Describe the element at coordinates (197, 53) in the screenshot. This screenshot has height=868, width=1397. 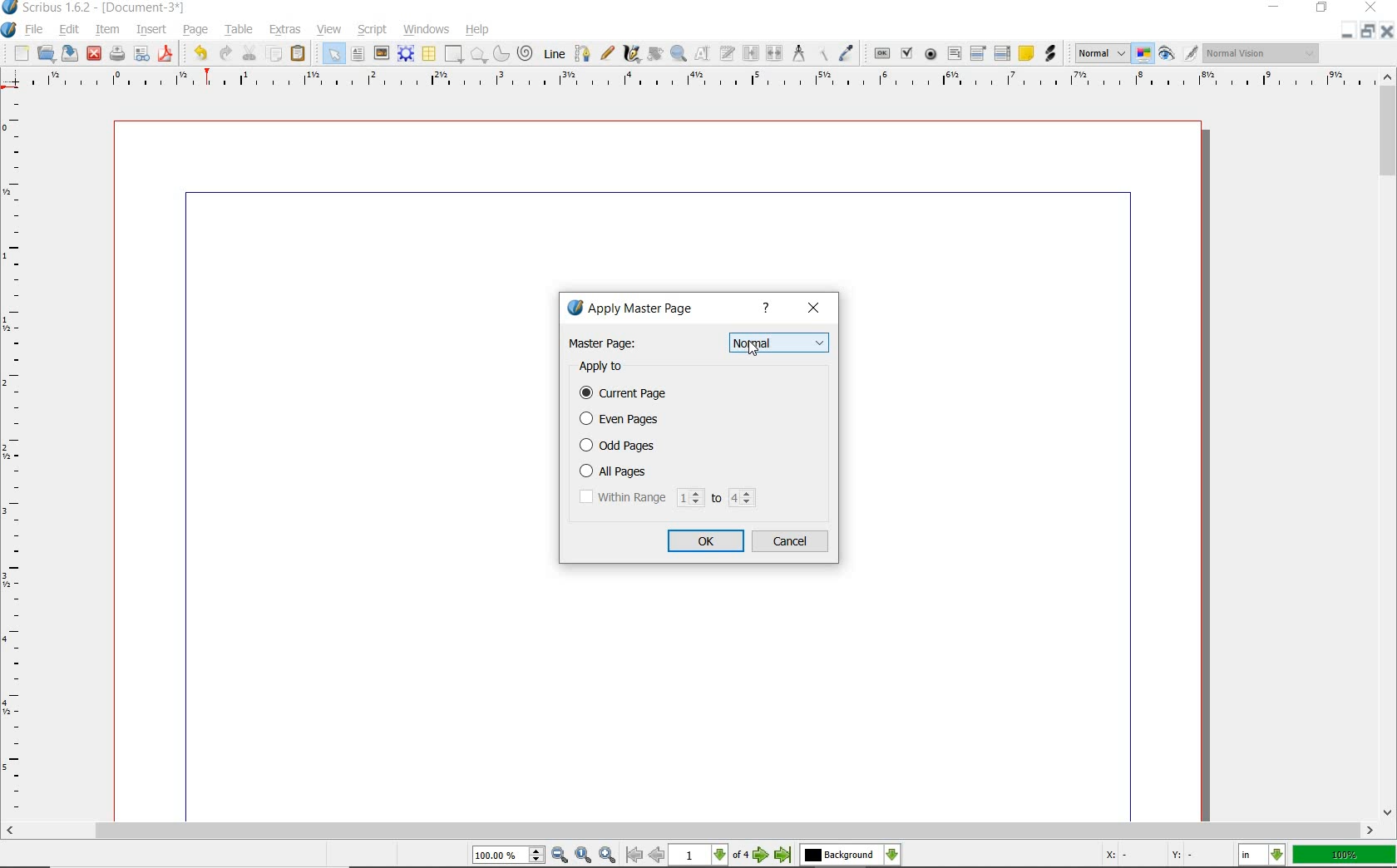
I see `undo` at that location.